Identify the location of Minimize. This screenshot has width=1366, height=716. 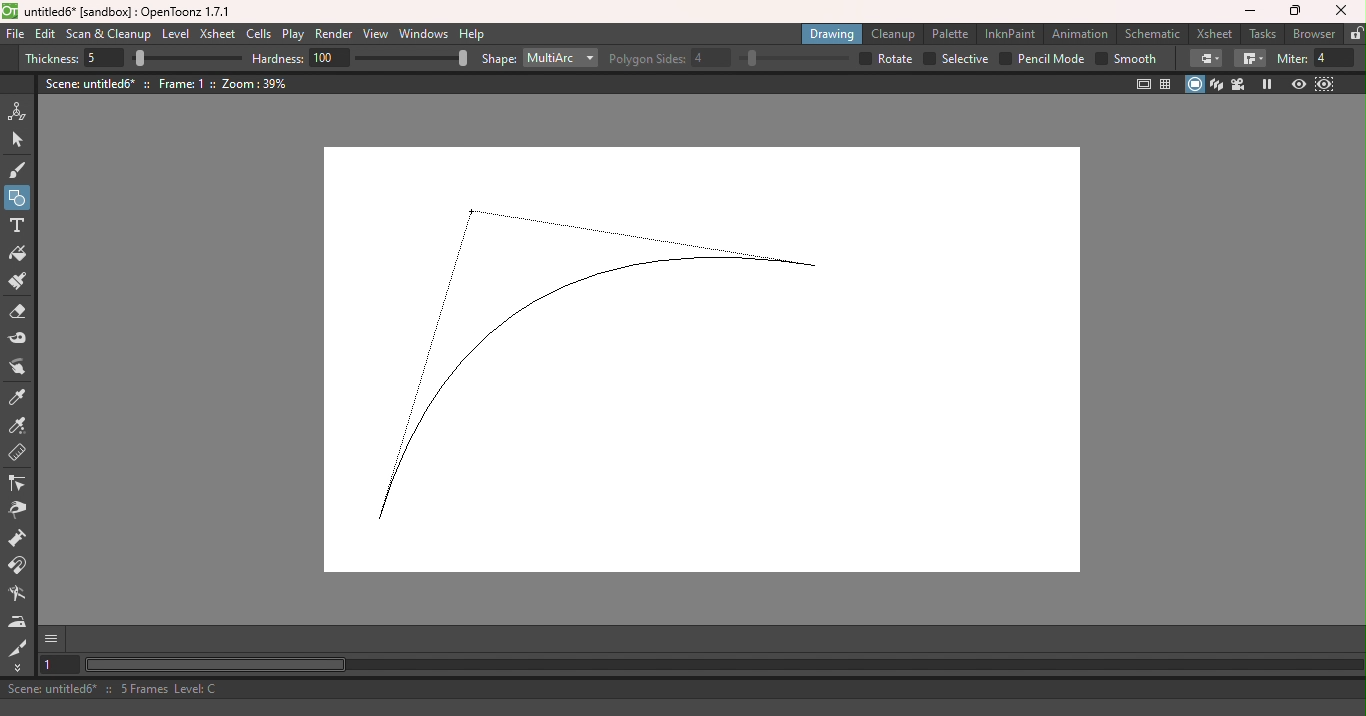
(1248, 12).